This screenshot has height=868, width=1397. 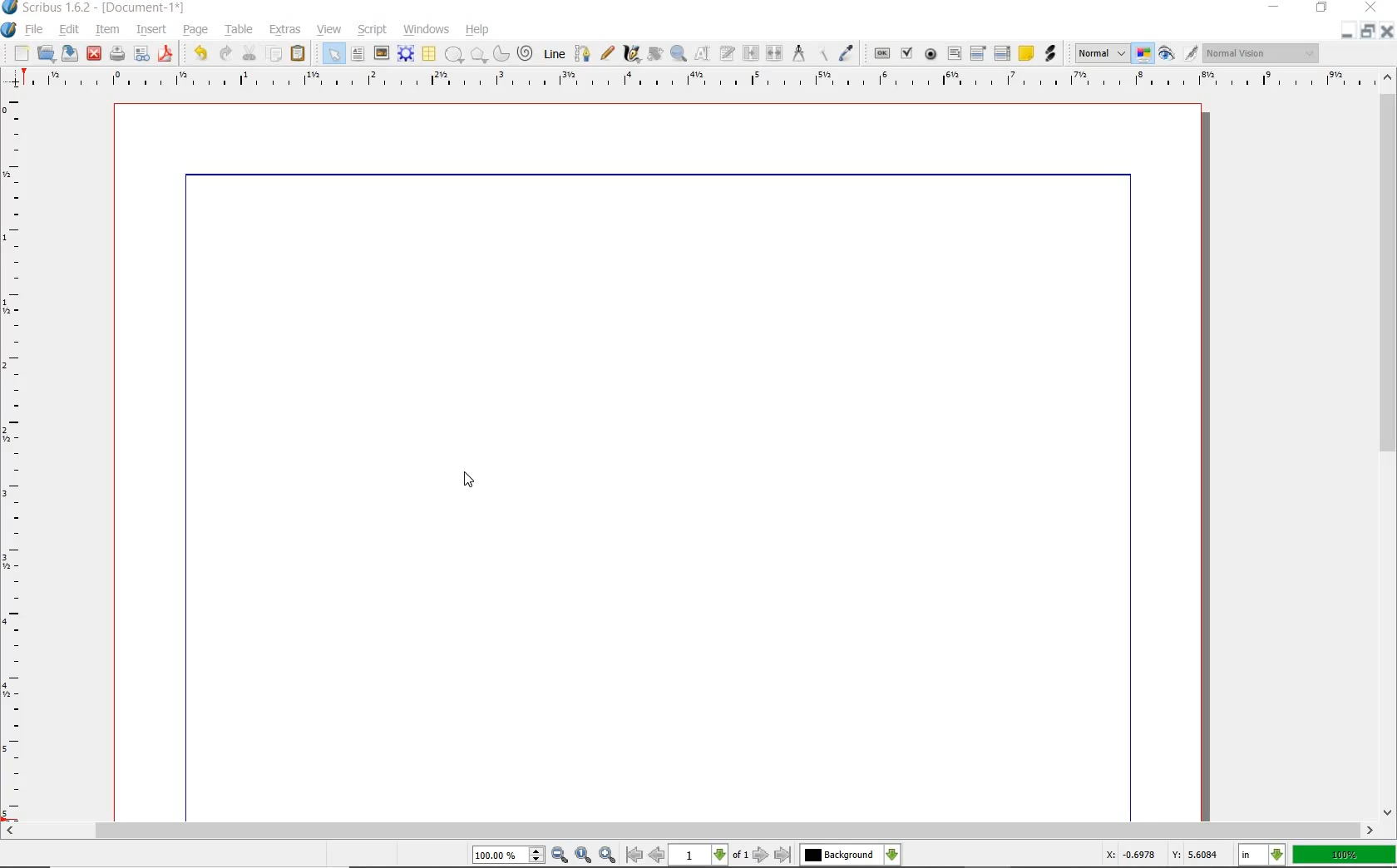 What do you see at coordinates (1261, 853) in the screenshot?
I see `select current unit` at bounding box center [1261, 853].